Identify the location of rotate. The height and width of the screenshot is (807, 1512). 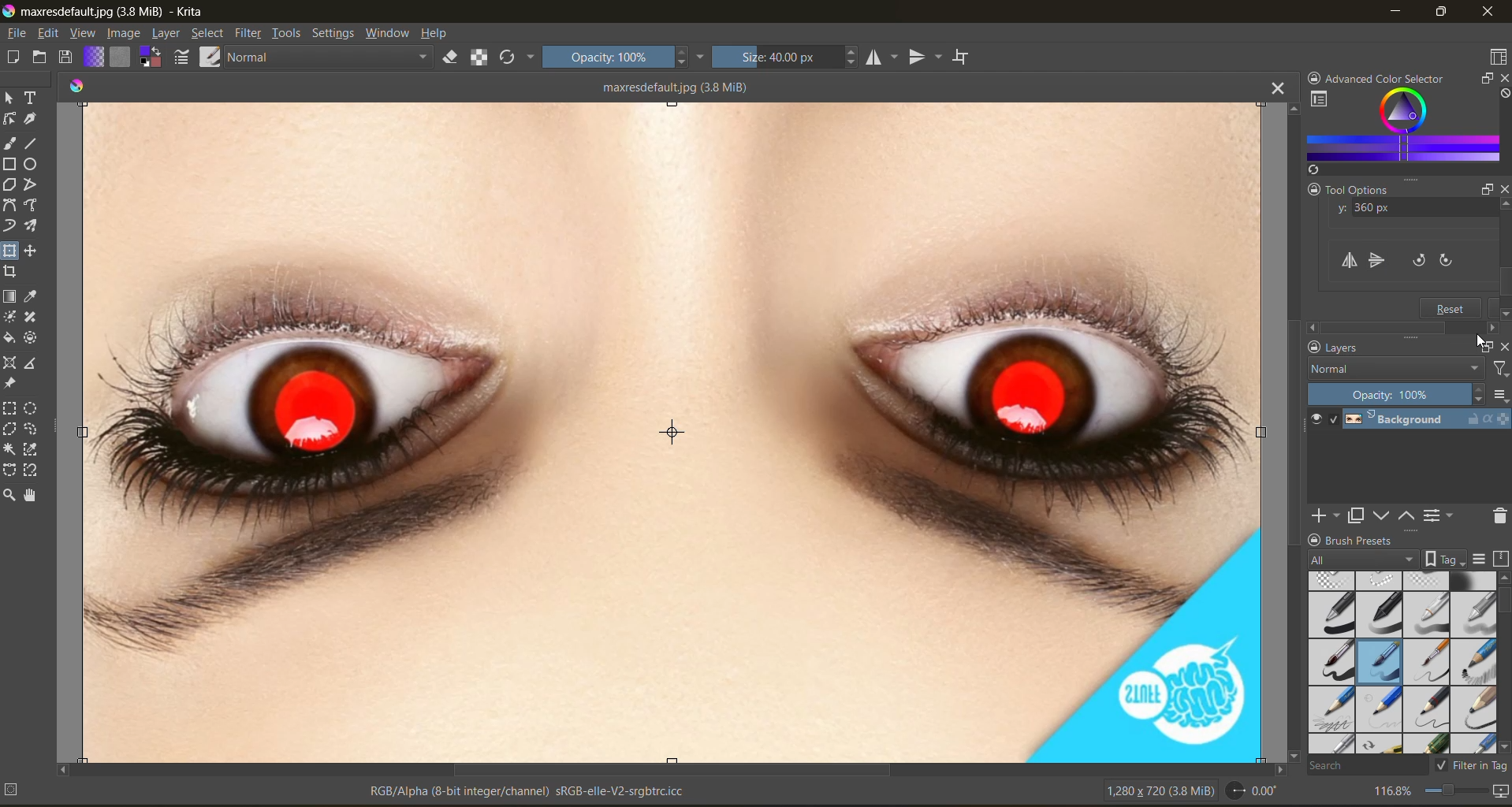
(1253, 791).